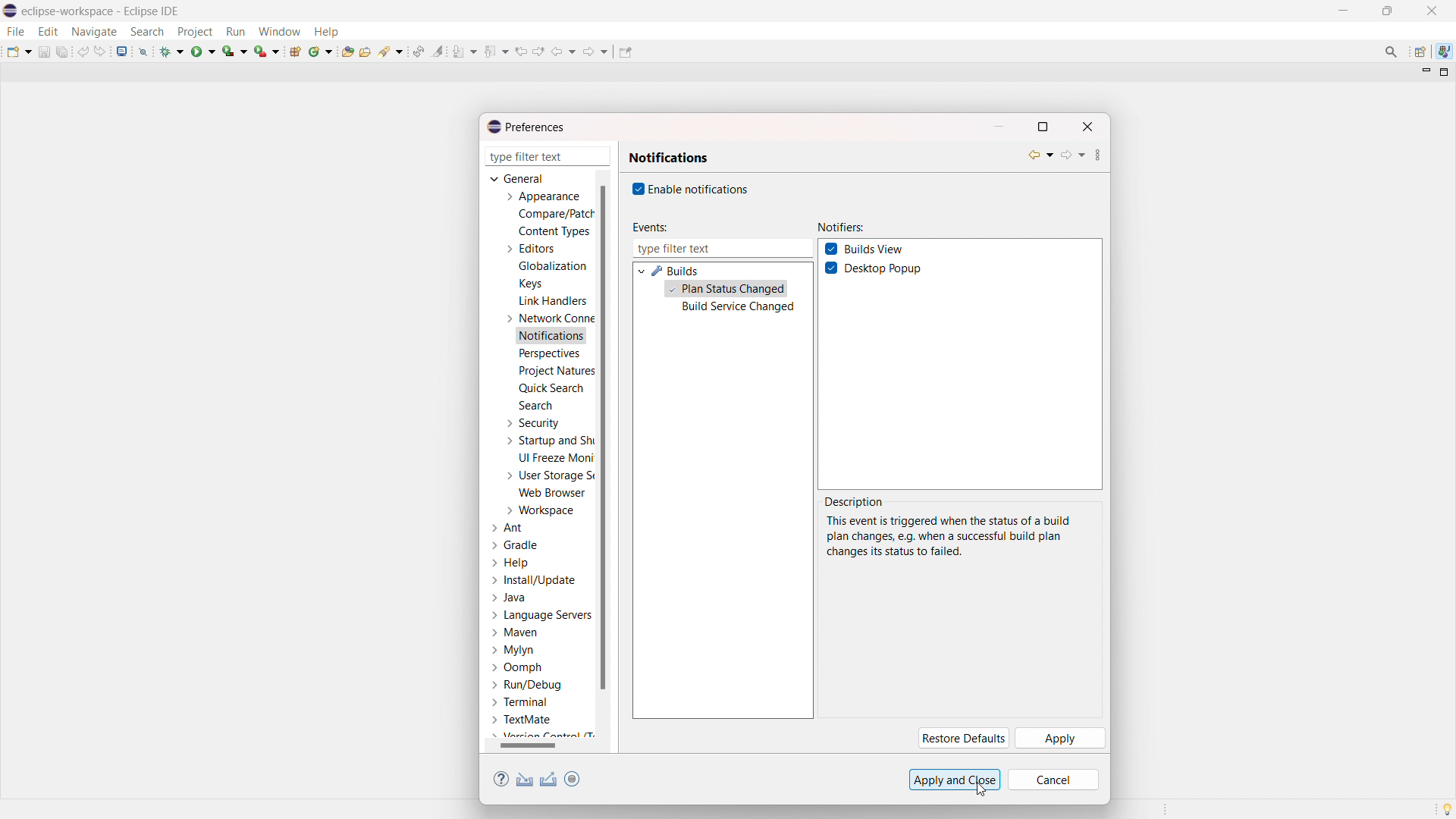 The height and width of the screenshot is (819, 1456). What do you see at coordinates (551, 388) in the screenshot?
I see `quick search` at bounding box center [551, 388].